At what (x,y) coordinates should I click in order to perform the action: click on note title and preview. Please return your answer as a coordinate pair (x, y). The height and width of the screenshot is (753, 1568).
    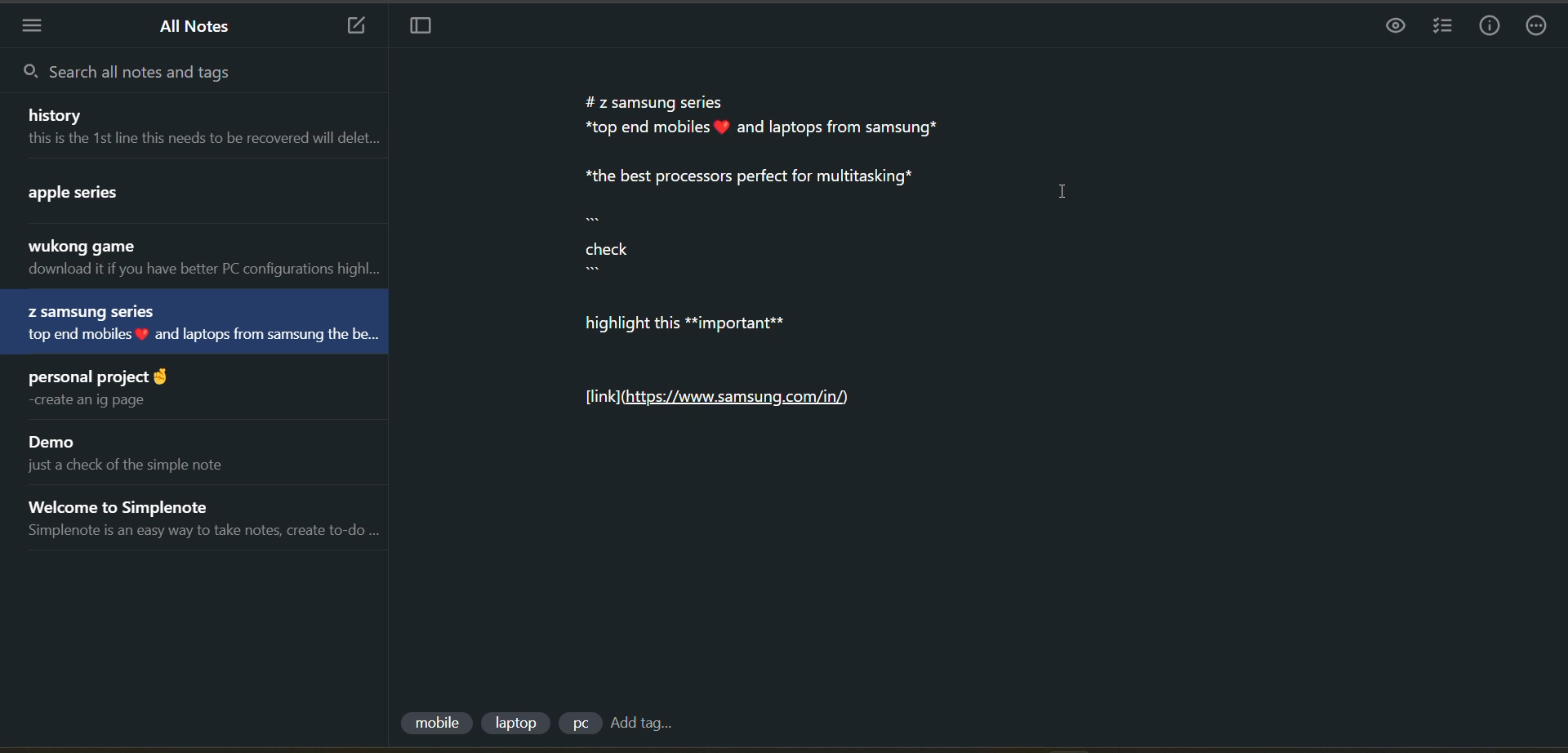
    Looking at the image, I should click on (211, 519).